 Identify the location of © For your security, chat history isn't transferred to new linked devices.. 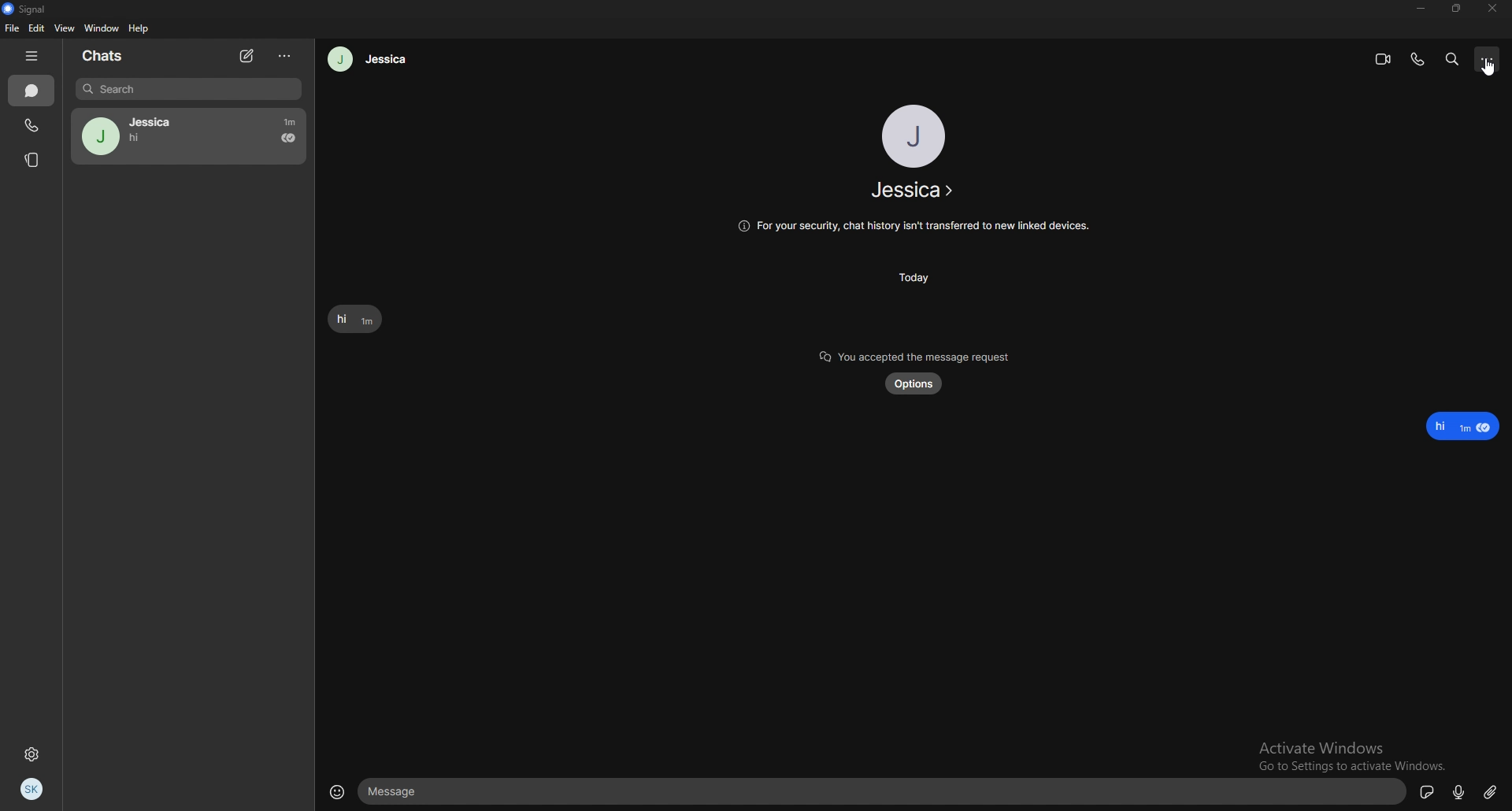
(911, 227).